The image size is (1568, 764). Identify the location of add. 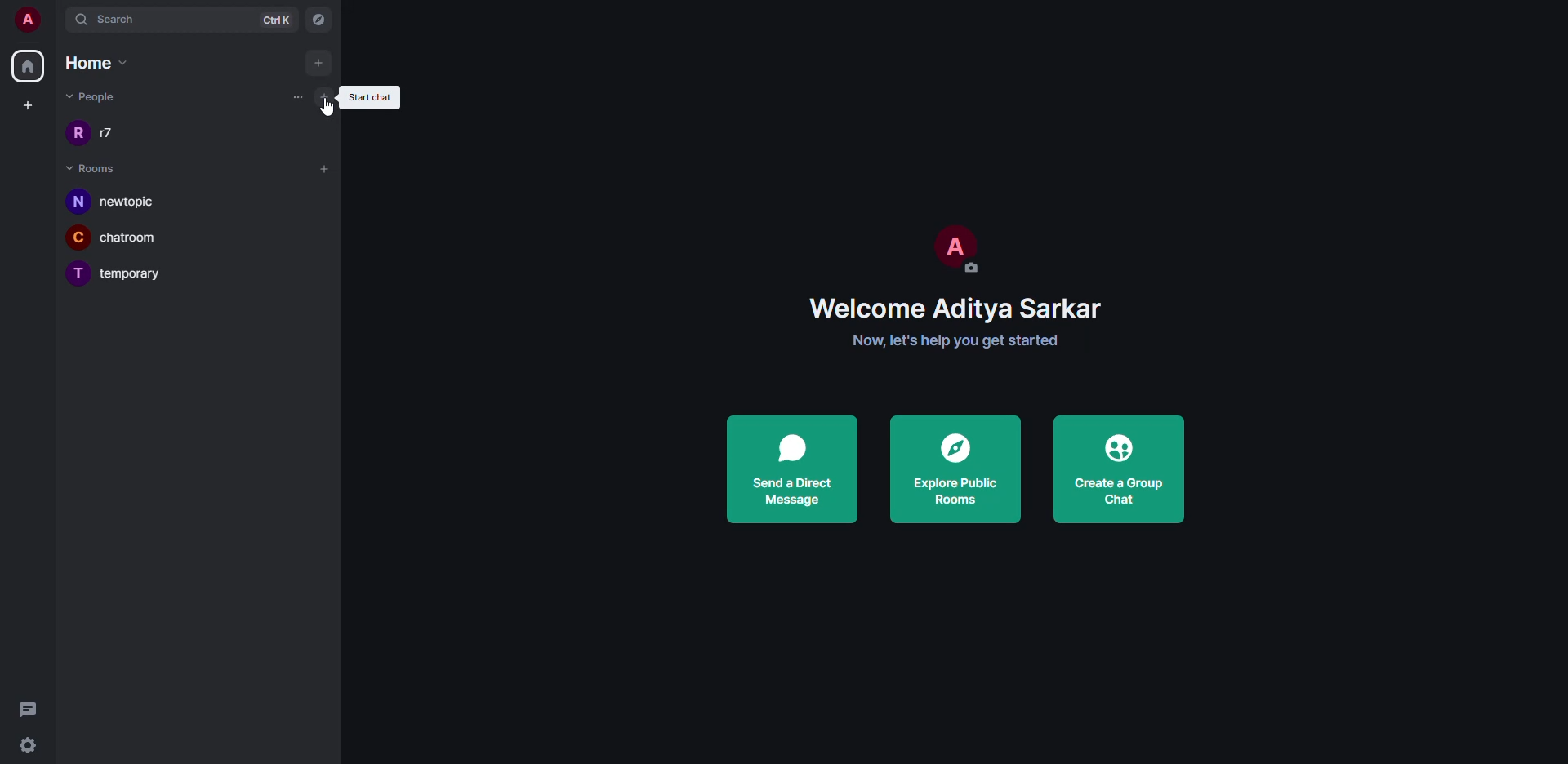
(323, 169).